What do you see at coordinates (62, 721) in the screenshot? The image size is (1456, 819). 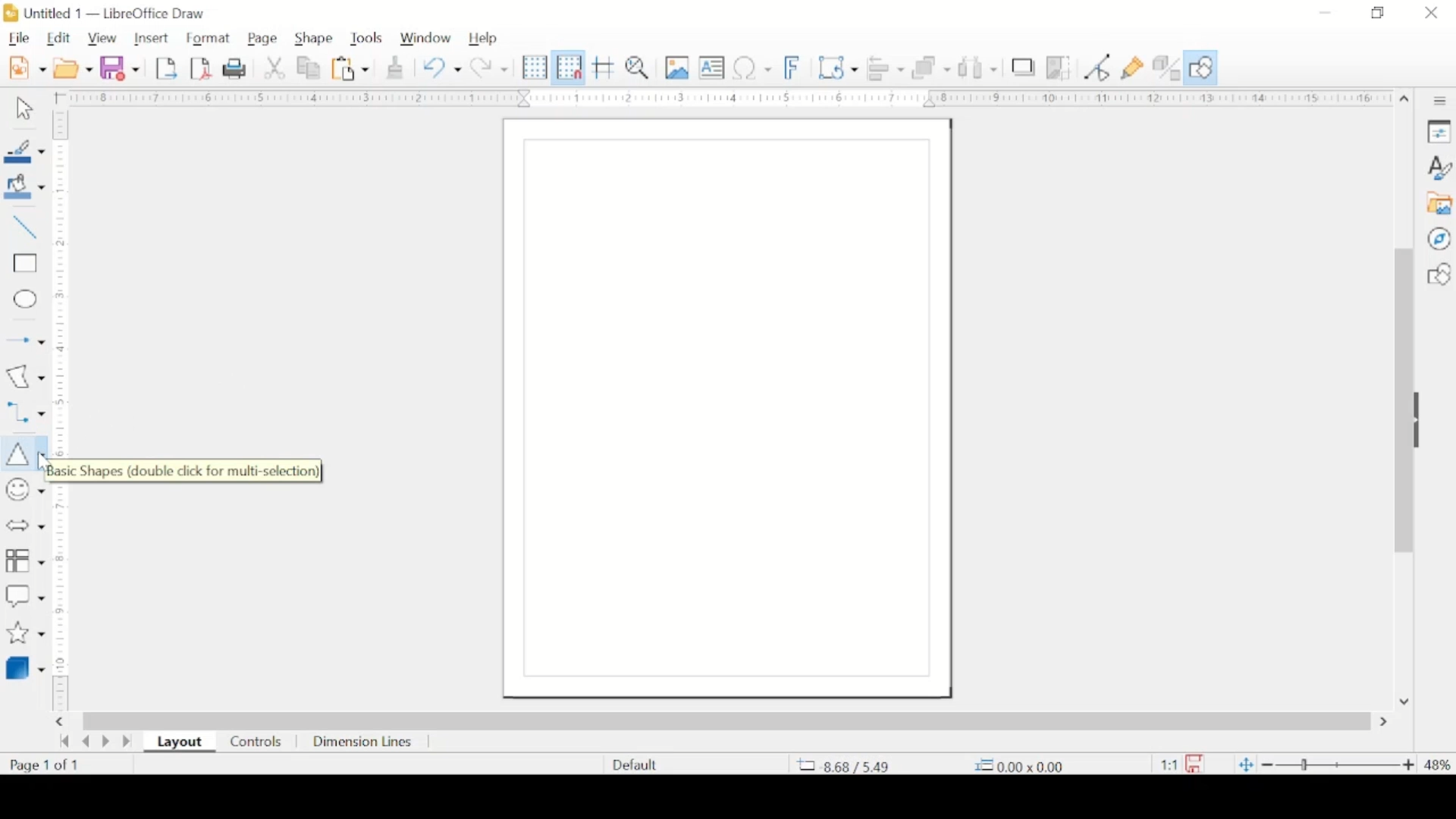 I see `scroll right` at bounding box center [62, 721].